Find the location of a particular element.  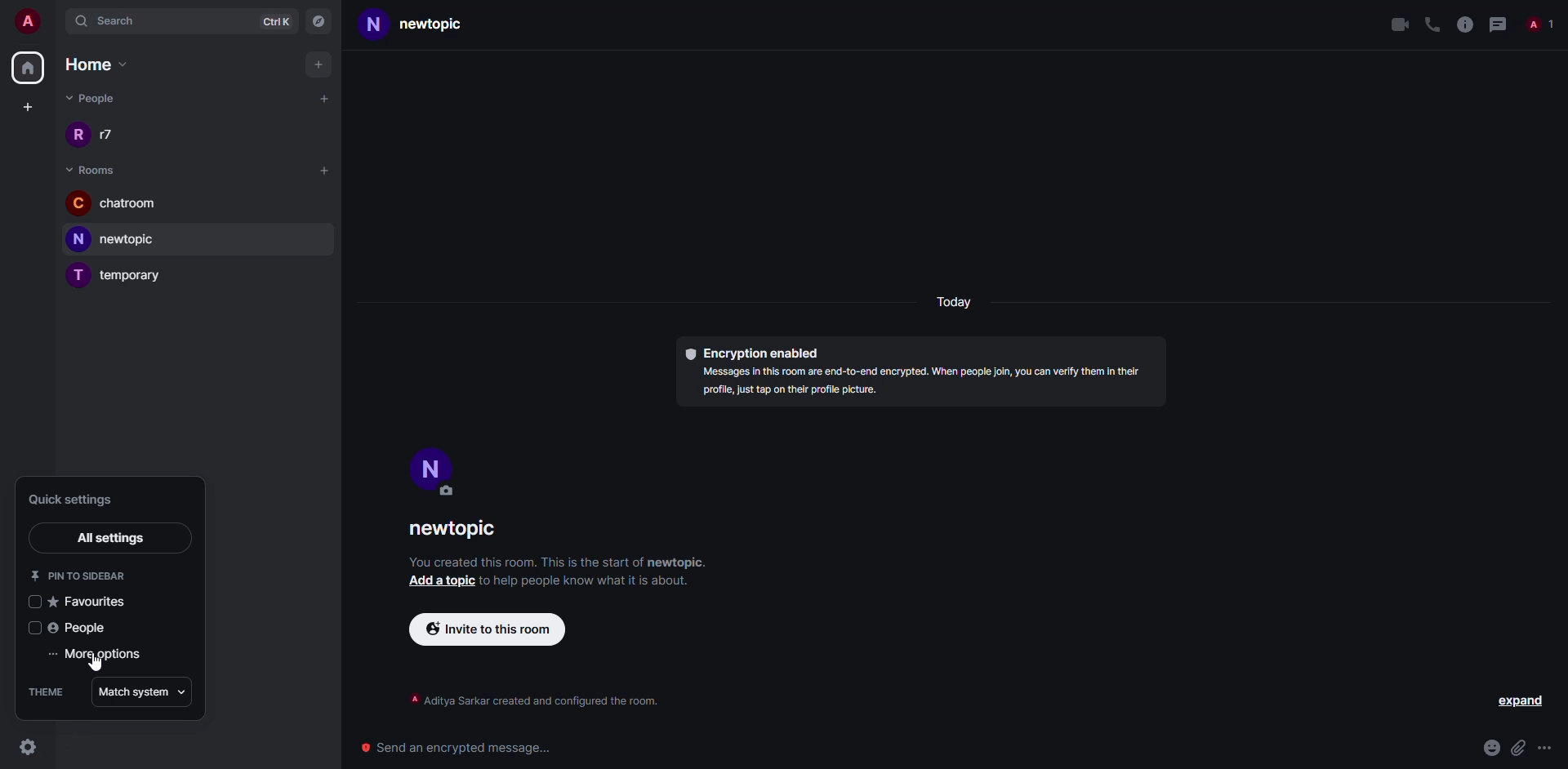

info is located at coordinates (586, 580).